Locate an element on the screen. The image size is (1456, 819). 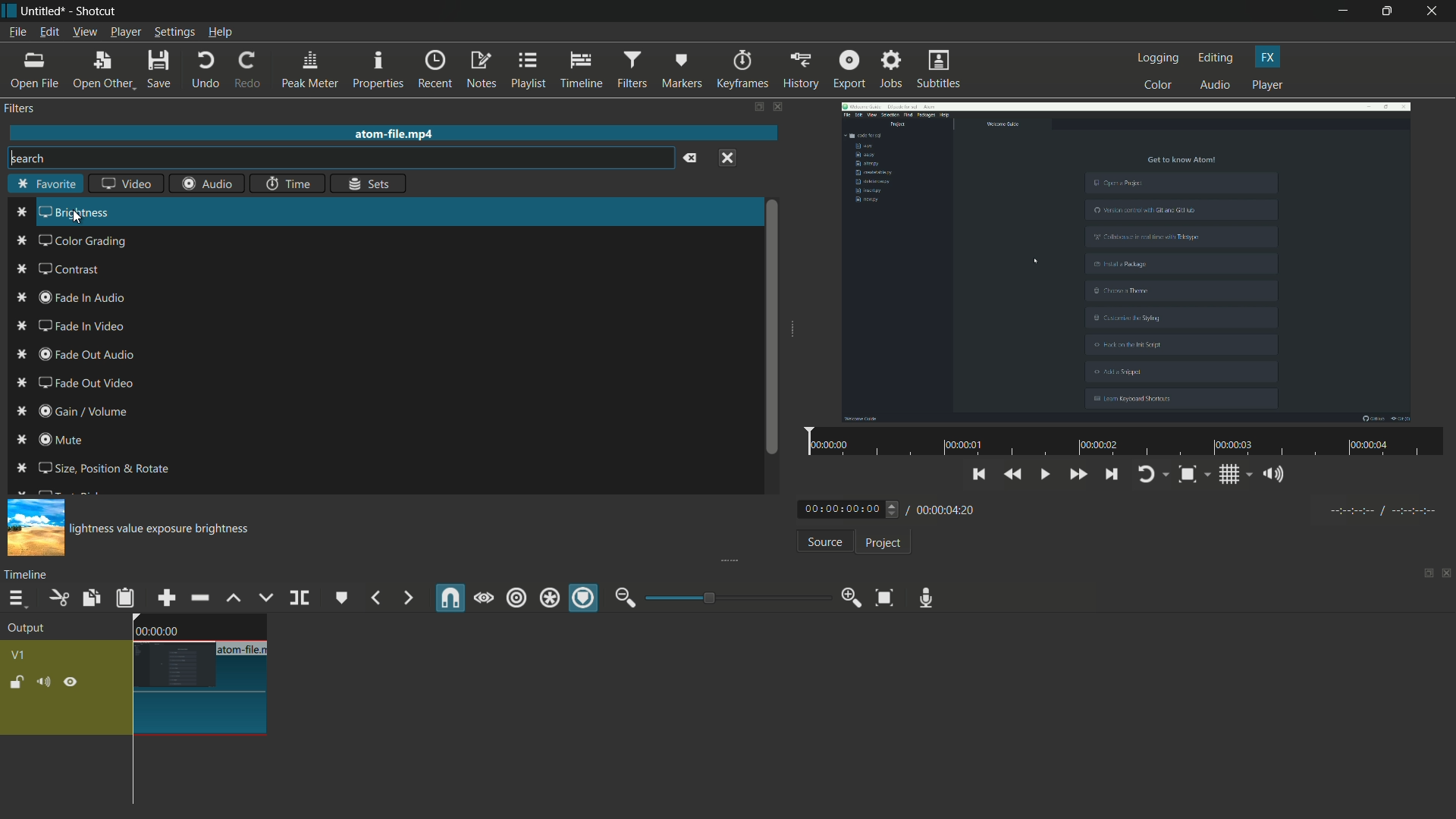
help menu is located at coordinates (221, 33).